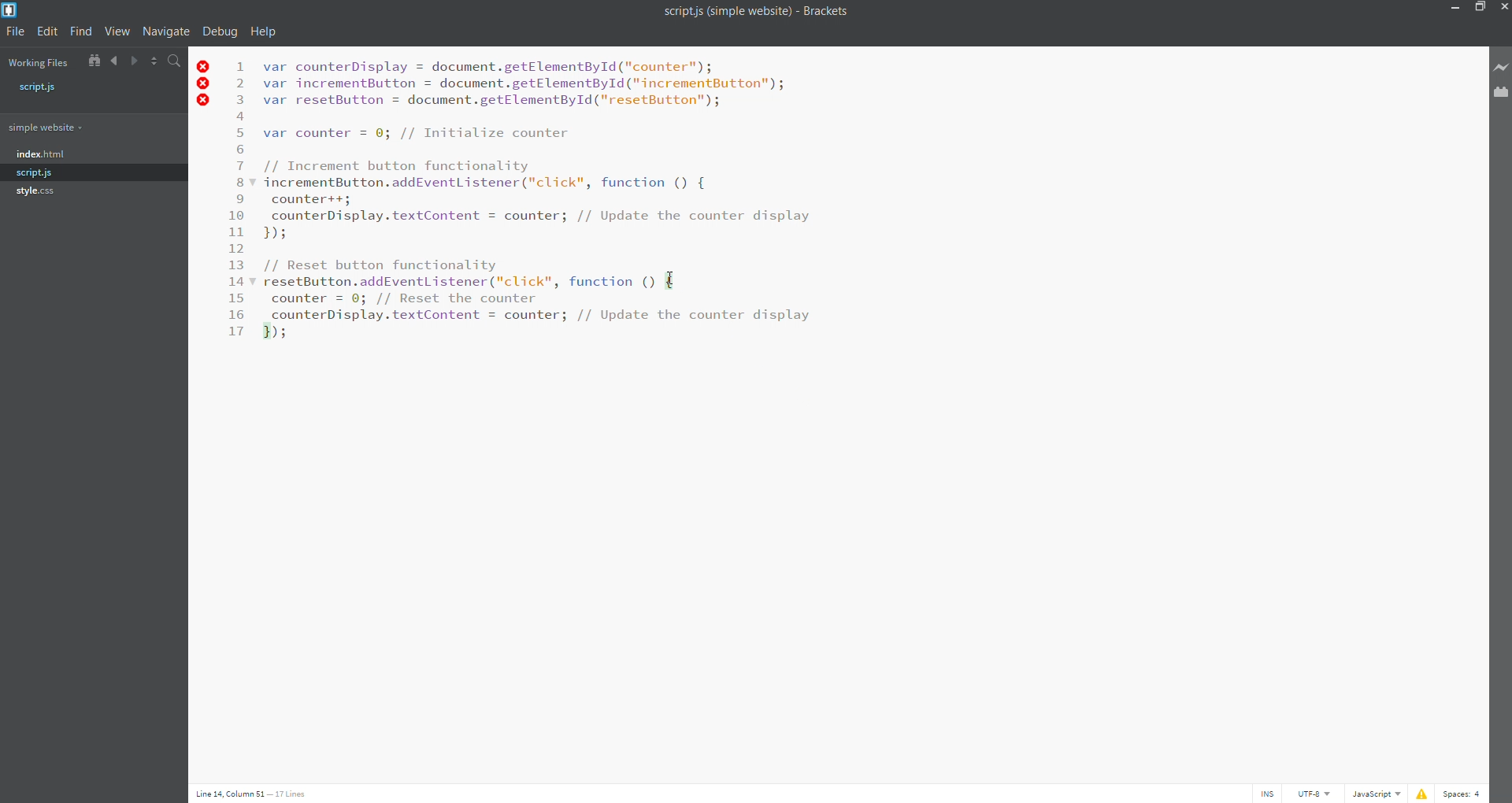 The image size is (1512, 803). I want to click on working file, so click(39, 62).